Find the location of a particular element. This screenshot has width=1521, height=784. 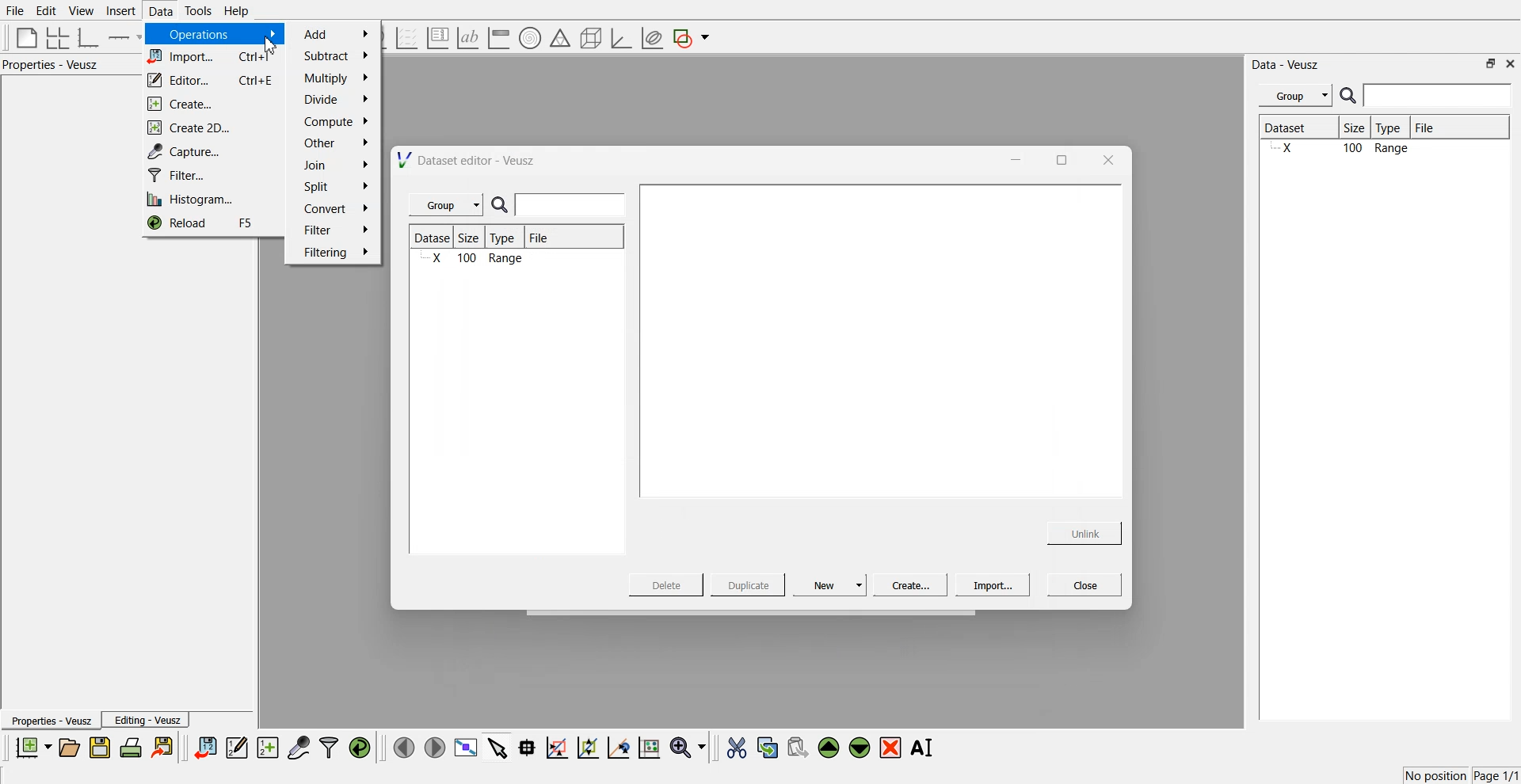

add a shape is located at coordinates (692, 39).